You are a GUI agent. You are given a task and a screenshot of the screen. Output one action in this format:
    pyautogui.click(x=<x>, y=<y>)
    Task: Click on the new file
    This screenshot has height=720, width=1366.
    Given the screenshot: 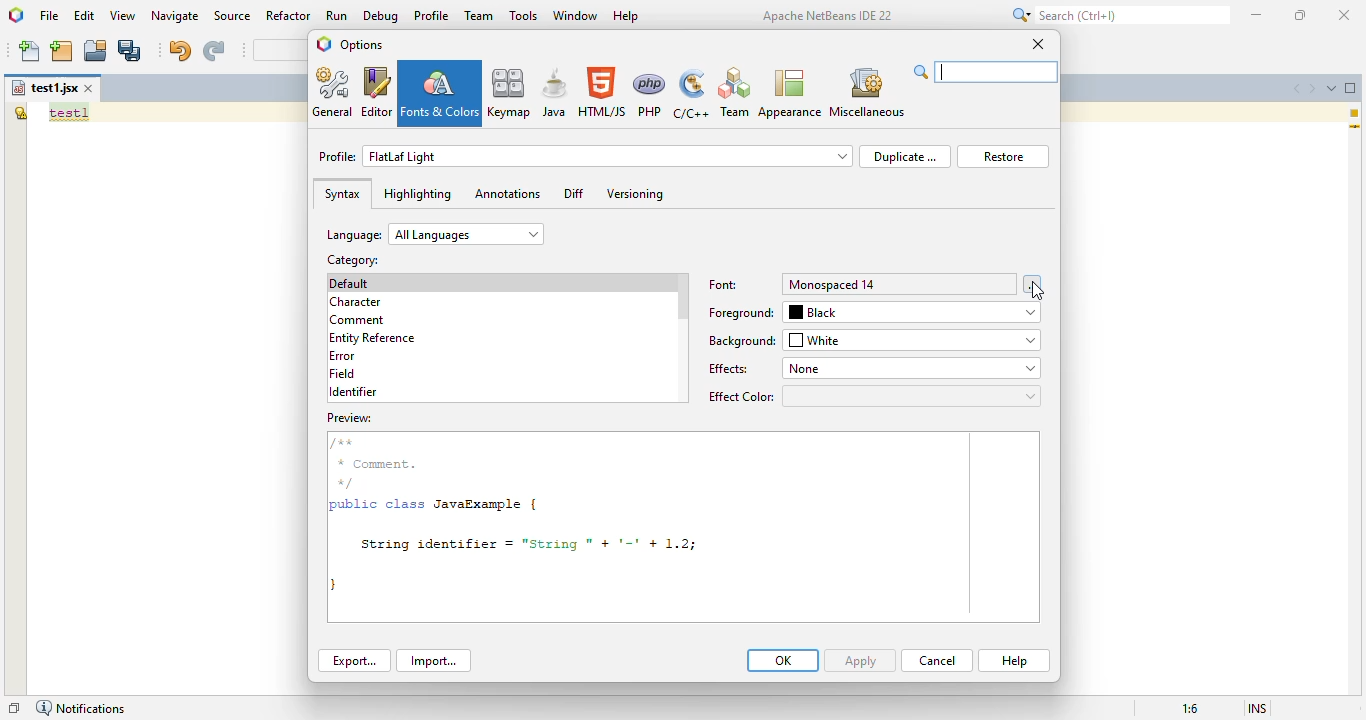 What is the action you would take?
    pyautogui.click(x=31, y=51)
    